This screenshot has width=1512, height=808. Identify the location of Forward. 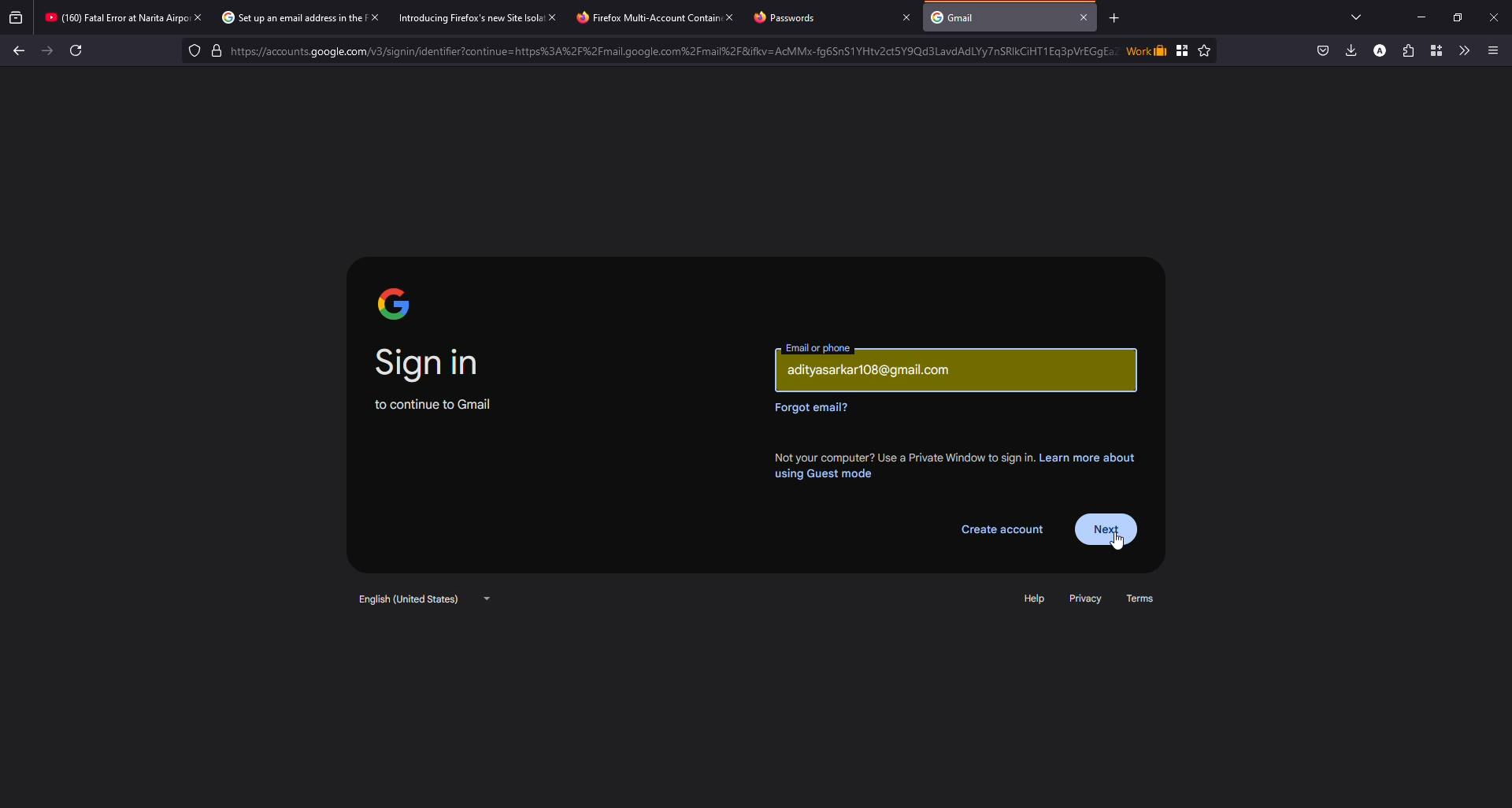
(46, 54).